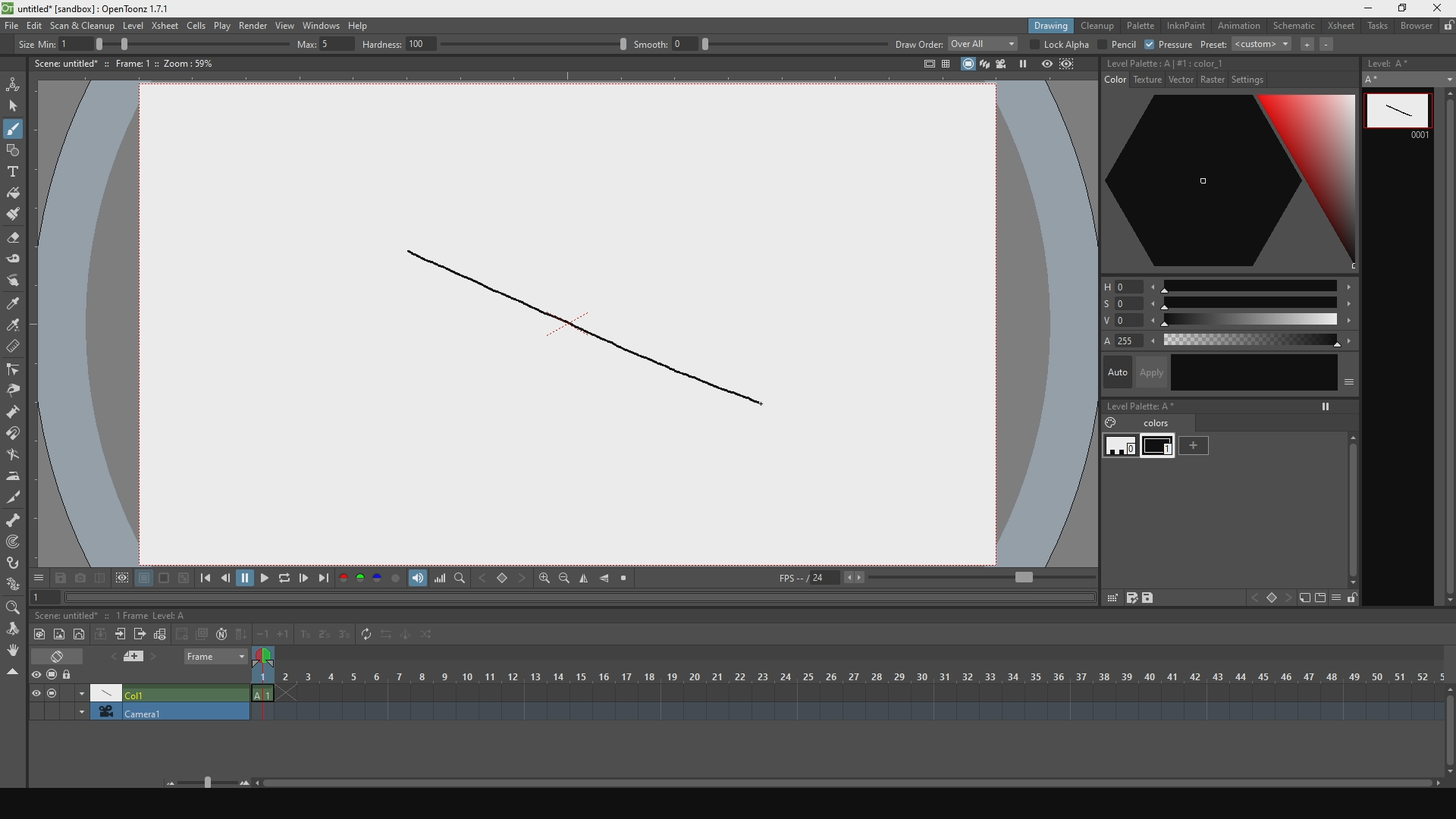 The height and width of the screenshot is (819, 1456). What do you see at coordinates (58, 43) in the screenshot?
I see `size min` at bounding box center [58, 43].